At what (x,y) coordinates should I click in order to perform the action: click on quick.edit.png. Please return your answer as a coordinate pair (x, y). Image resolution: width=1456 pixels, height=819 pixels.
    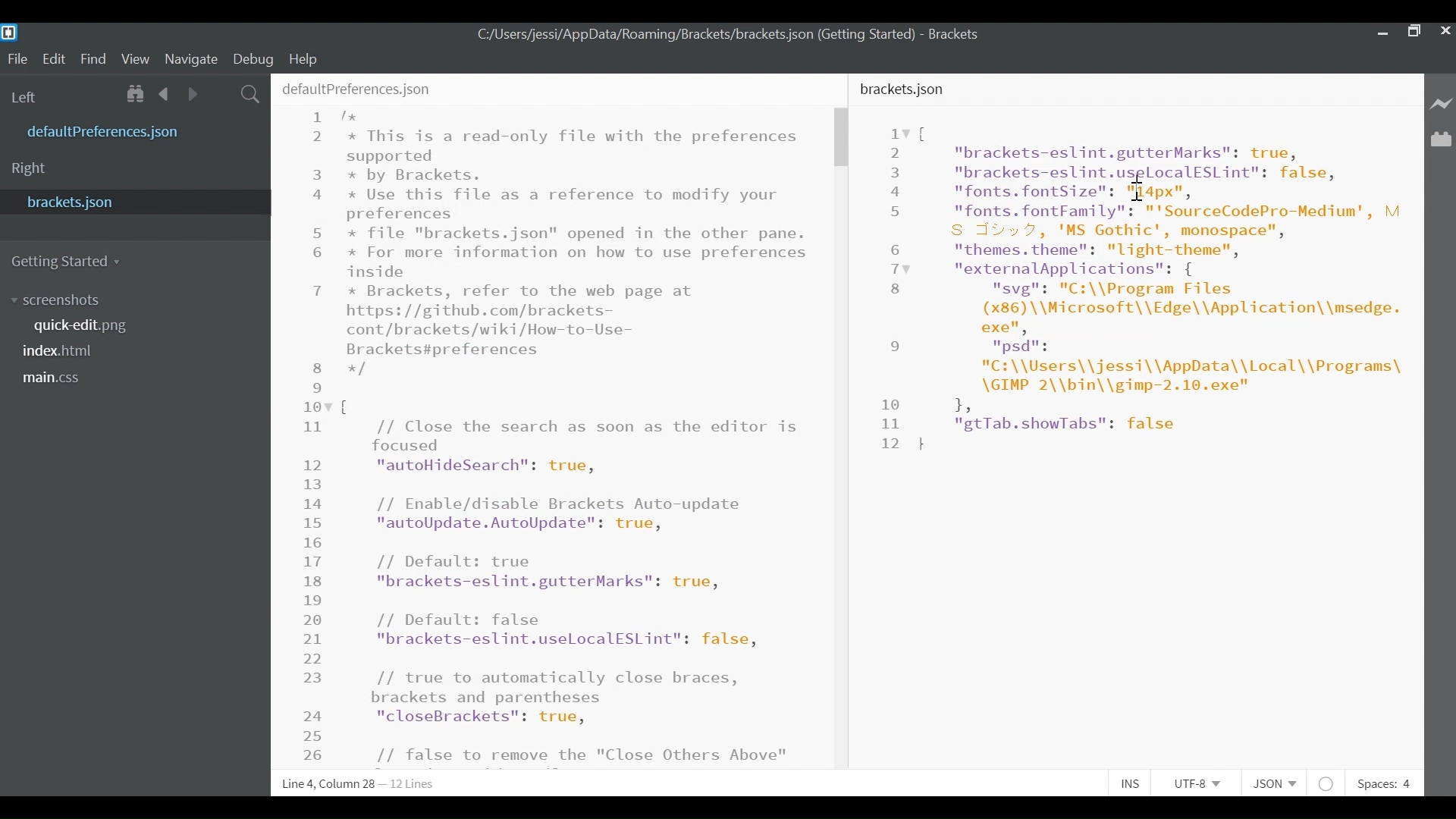
    Looking at the image, I should click on (83, 326).